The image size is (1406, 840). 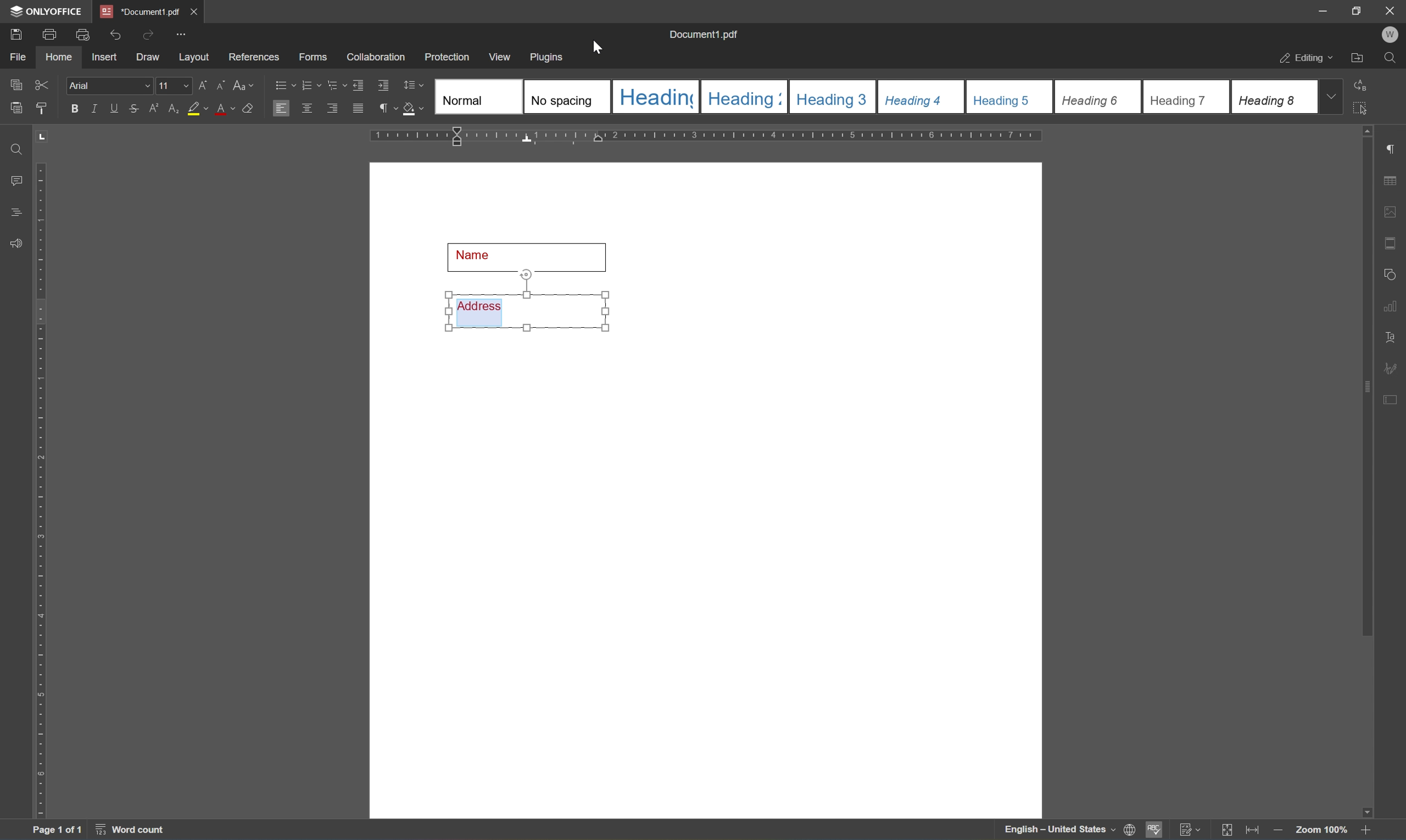 I want to click on Name, so click(x=529, y=254).